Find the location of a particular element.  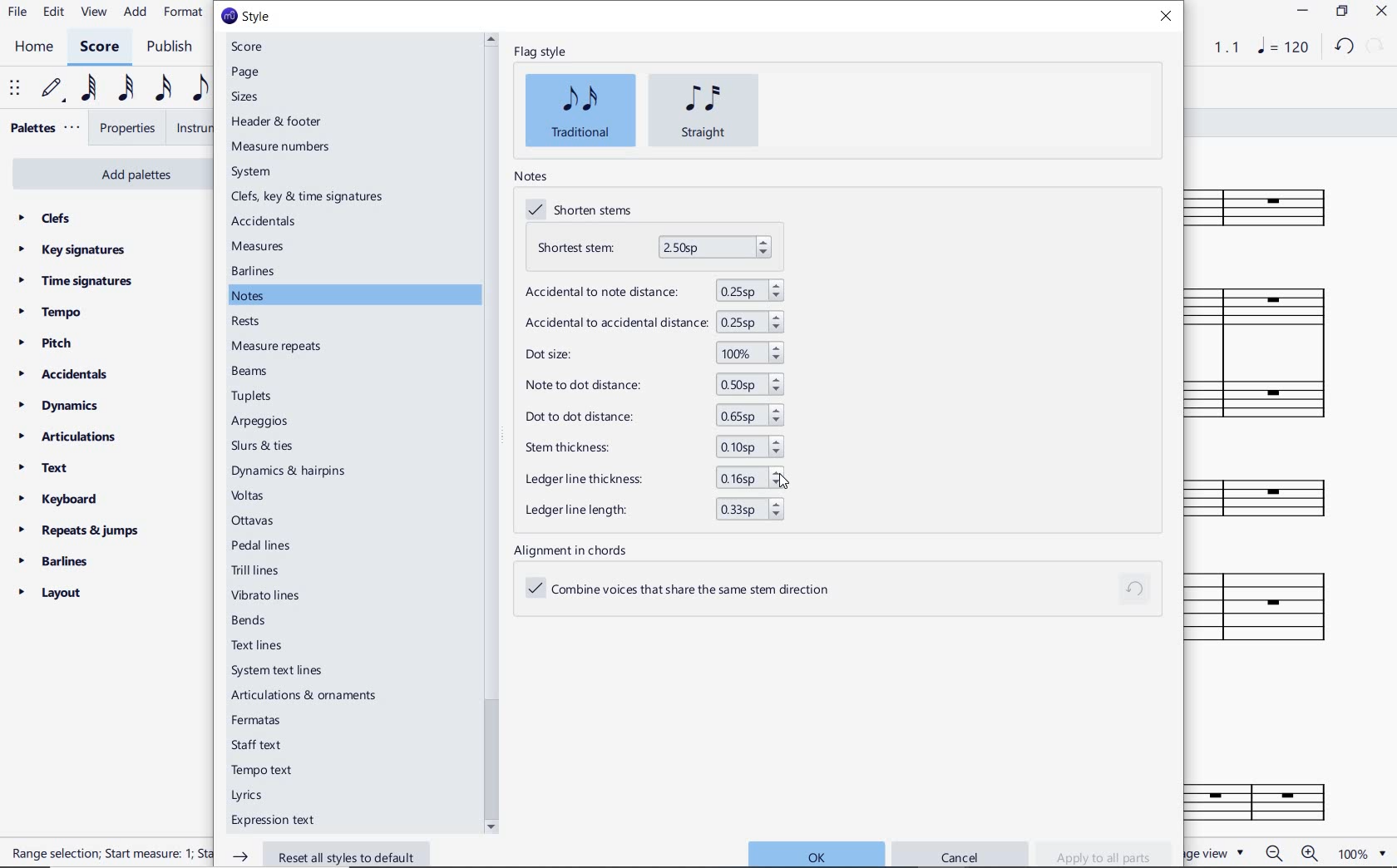

home is located at coordinates (37, 47).